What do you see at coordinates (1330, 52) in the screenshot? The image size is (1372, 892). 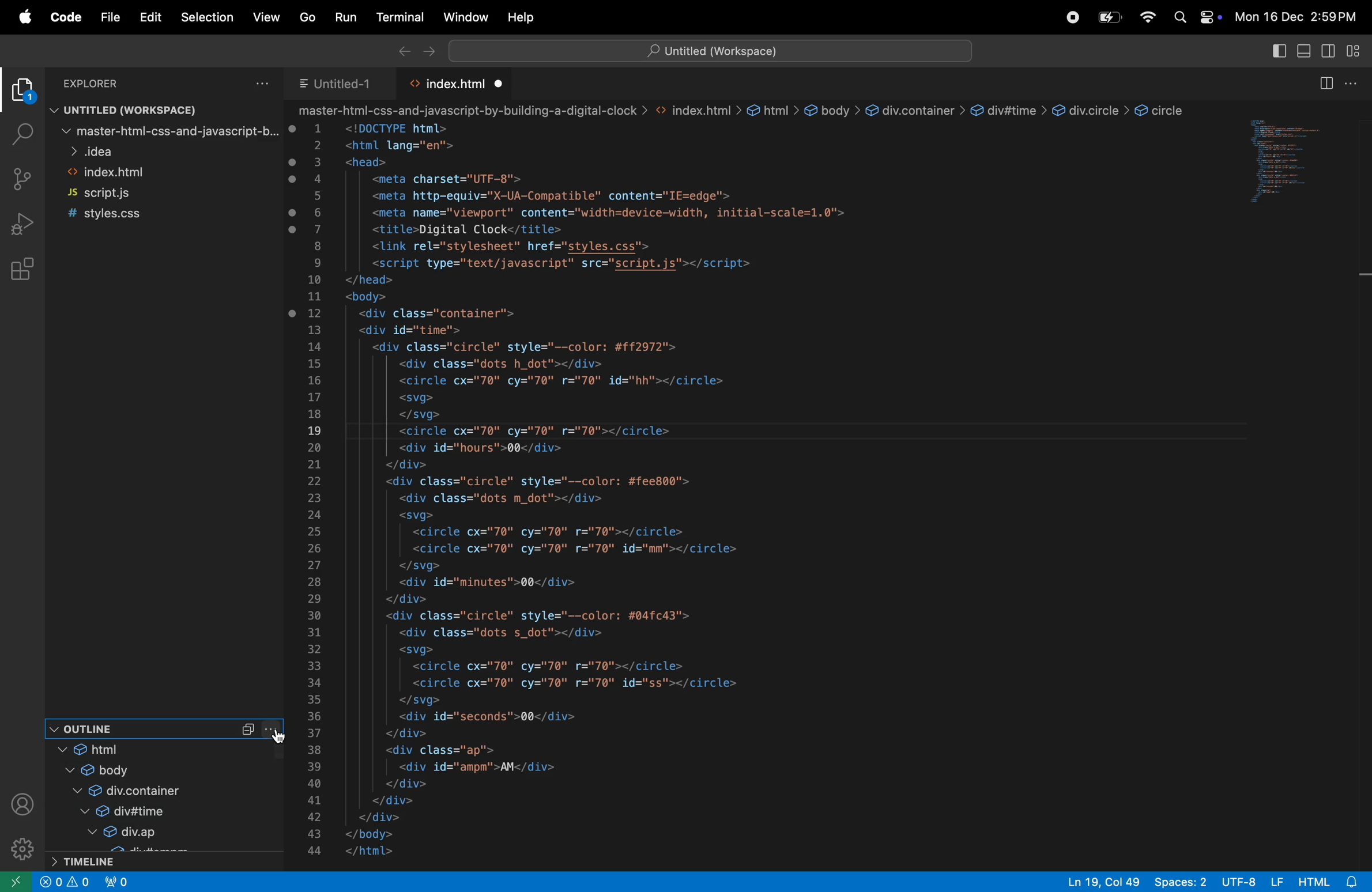 I see `toggle secondary side bar` at bounding box center [1330, 52].